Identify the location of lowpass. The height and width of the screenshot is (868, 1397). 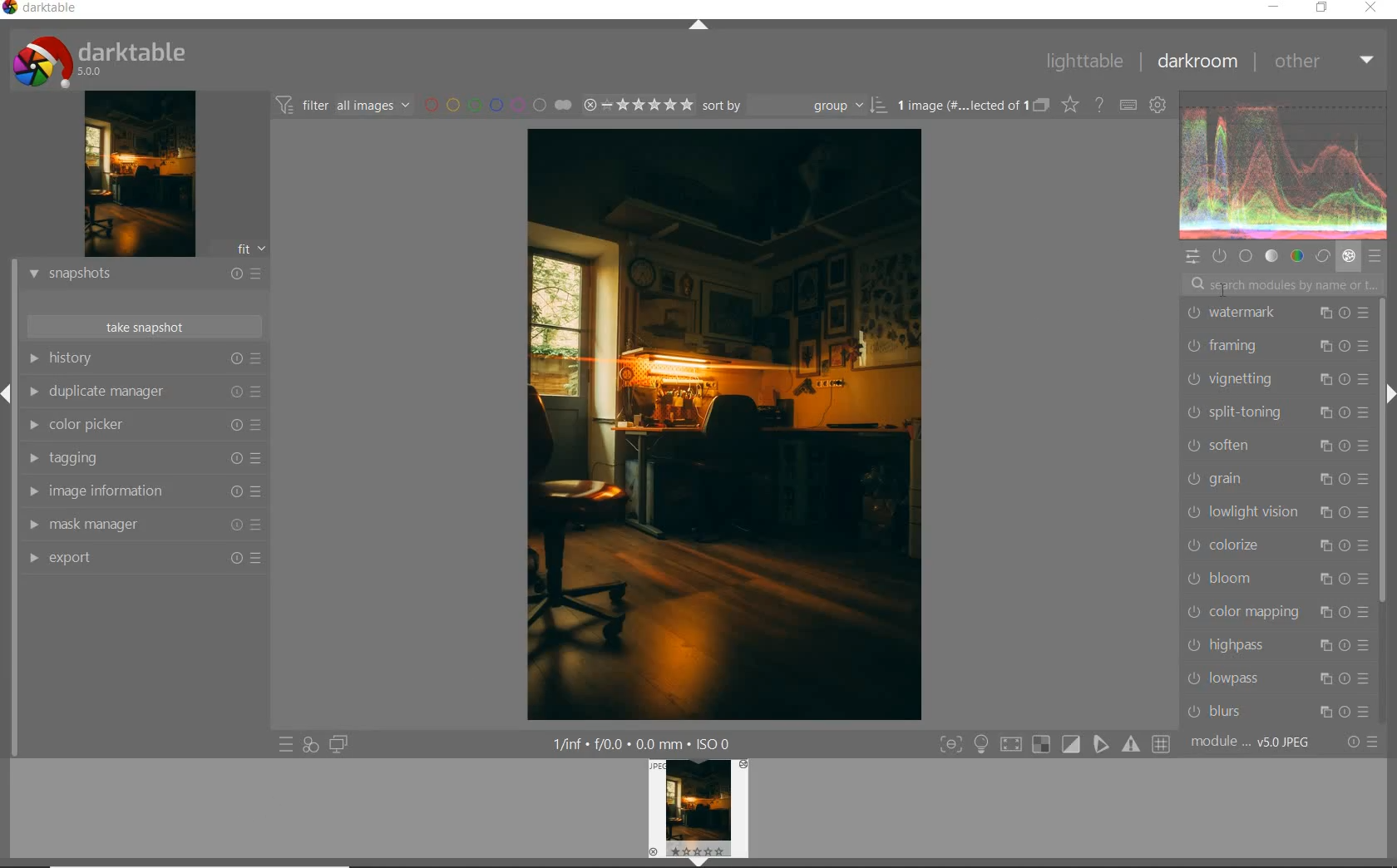
(1276, 679).